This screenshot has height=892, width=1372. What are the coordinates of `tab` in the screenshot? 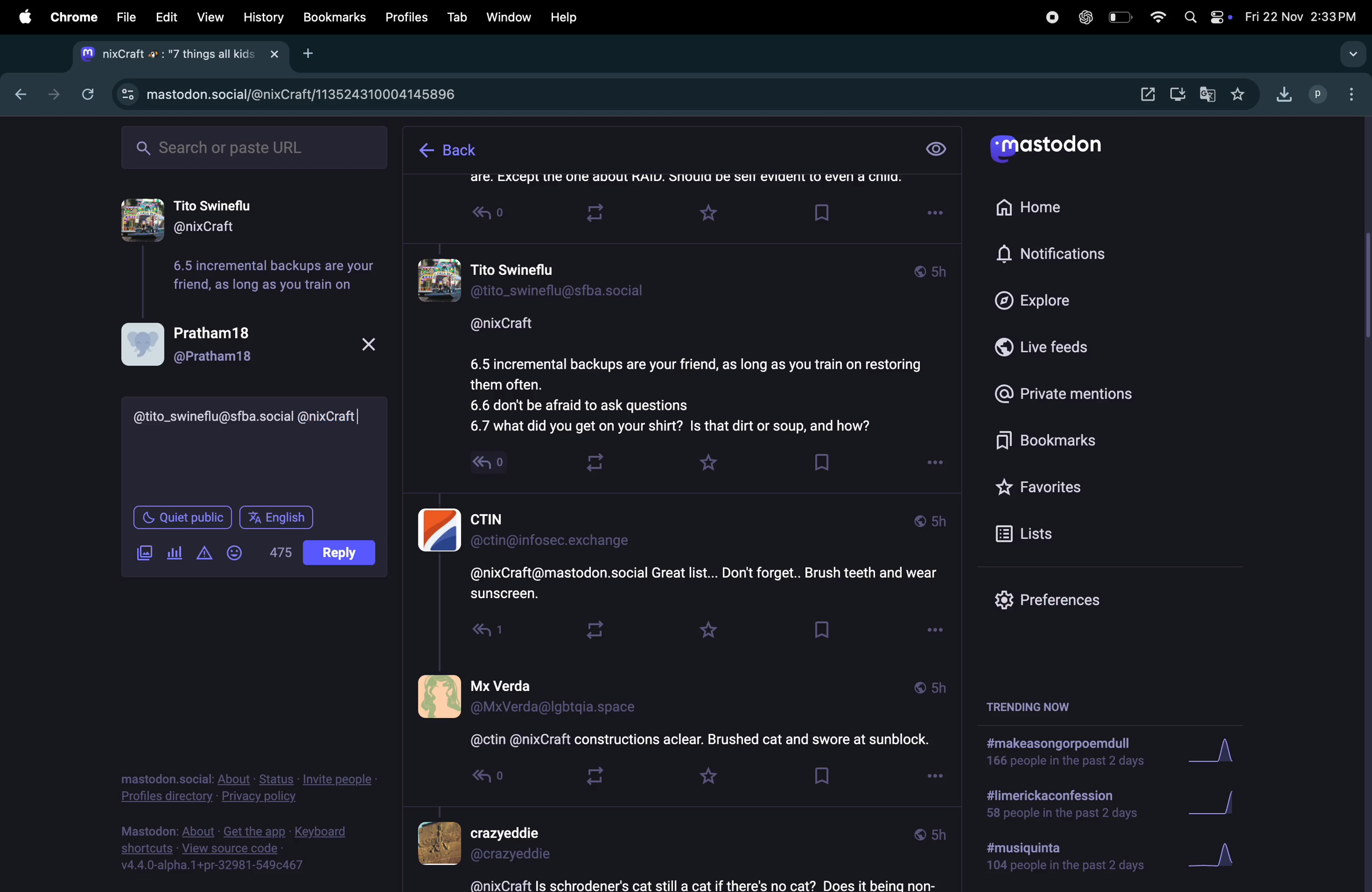 It's located at (457, 17).